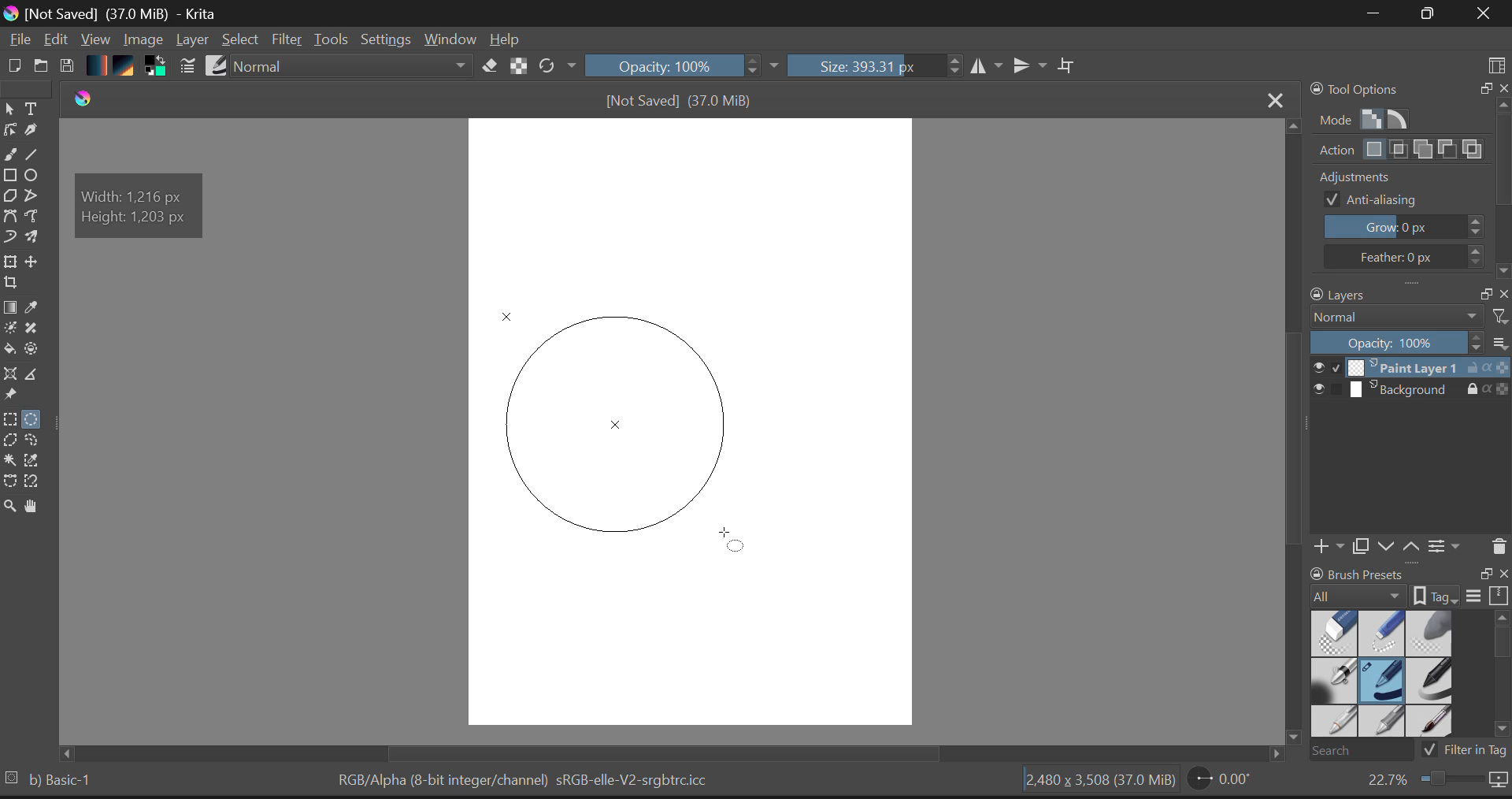  What do you see at coordinates (506, 39) in the screenshot?
I see `Help` at bounding box center [506, 39].